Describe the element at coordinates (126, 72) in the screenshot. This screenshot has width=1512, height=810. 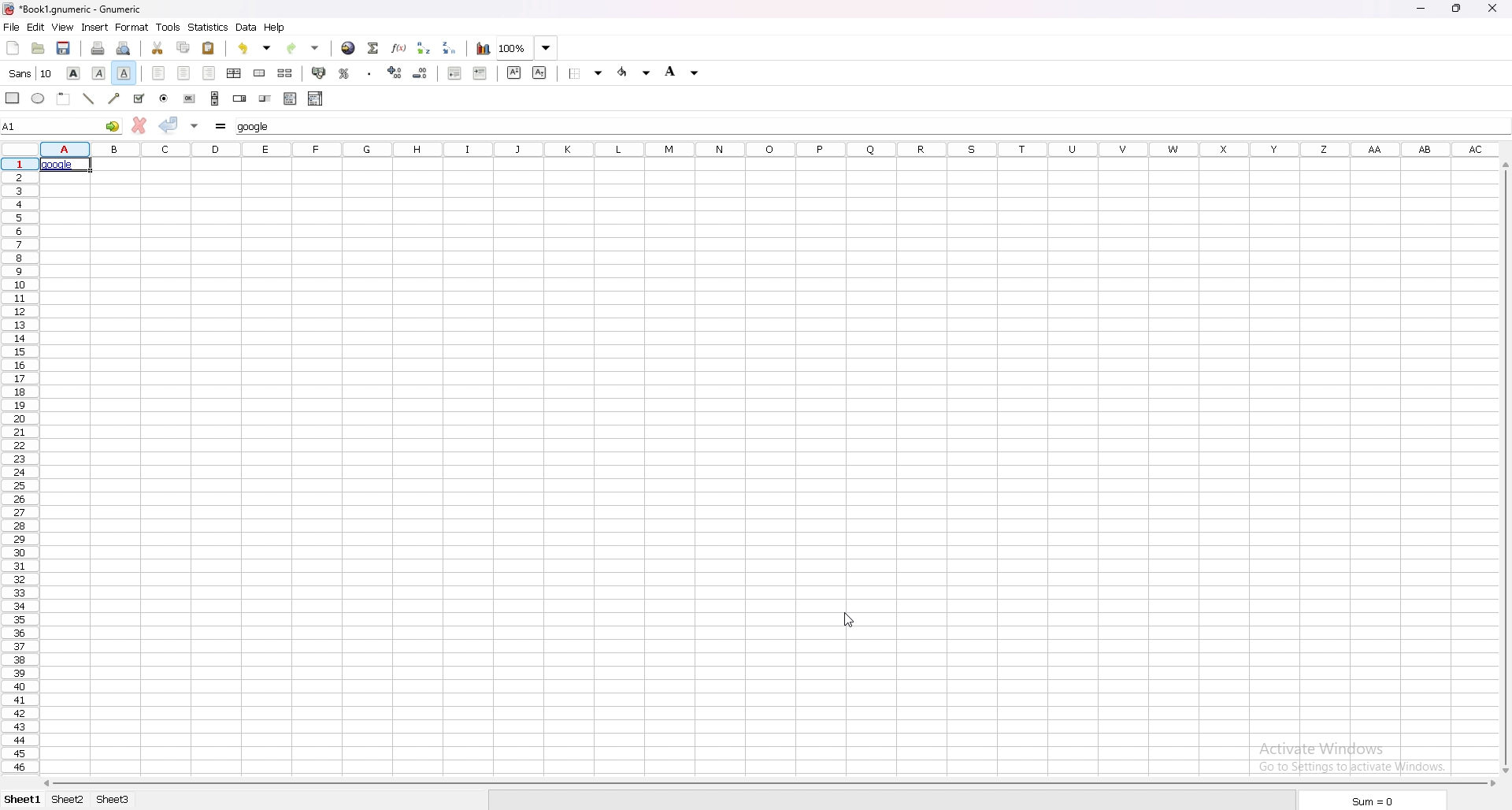
I see `underline` at that location.